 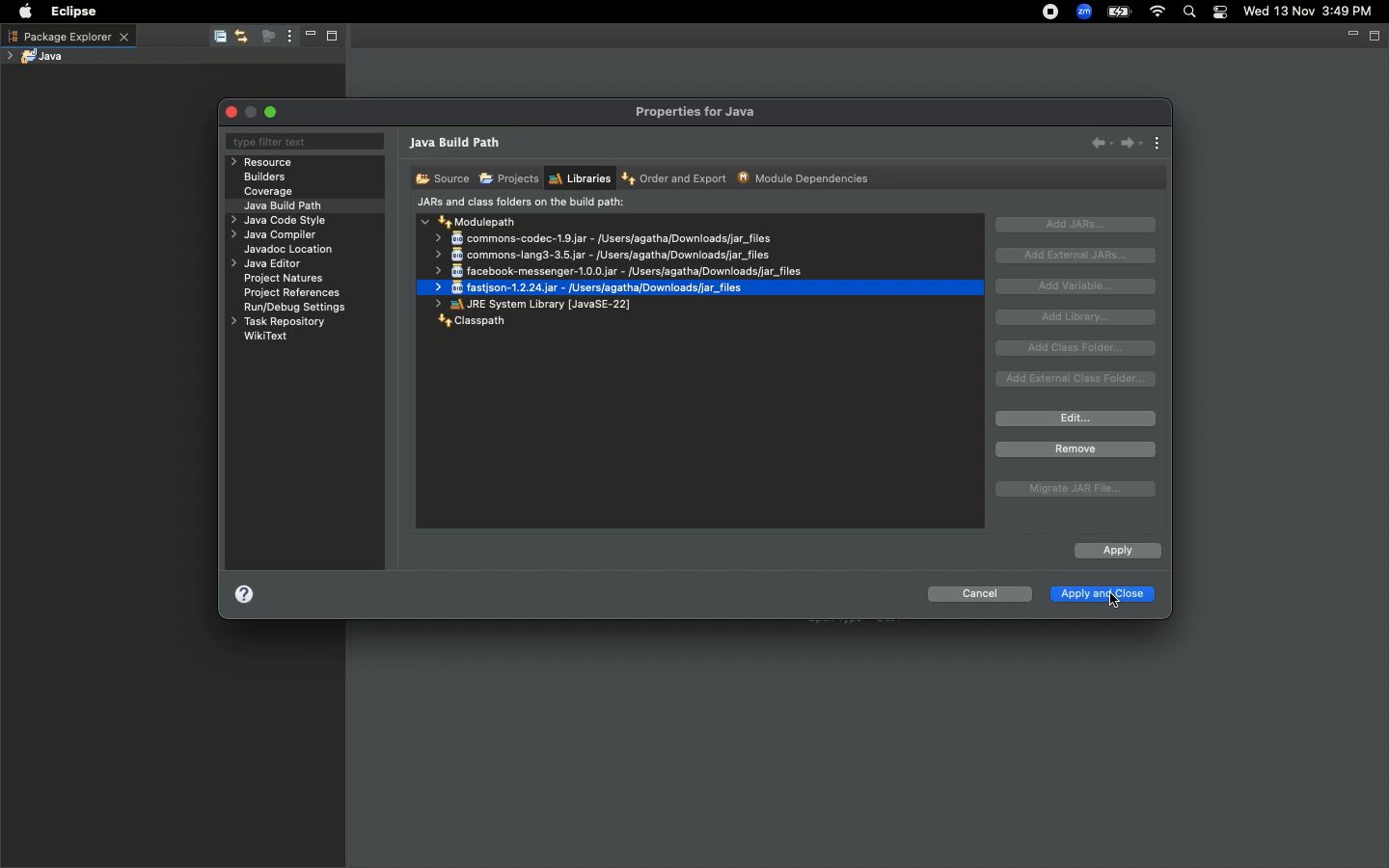 I want to click on Java code style, so click(x=276, y=222).